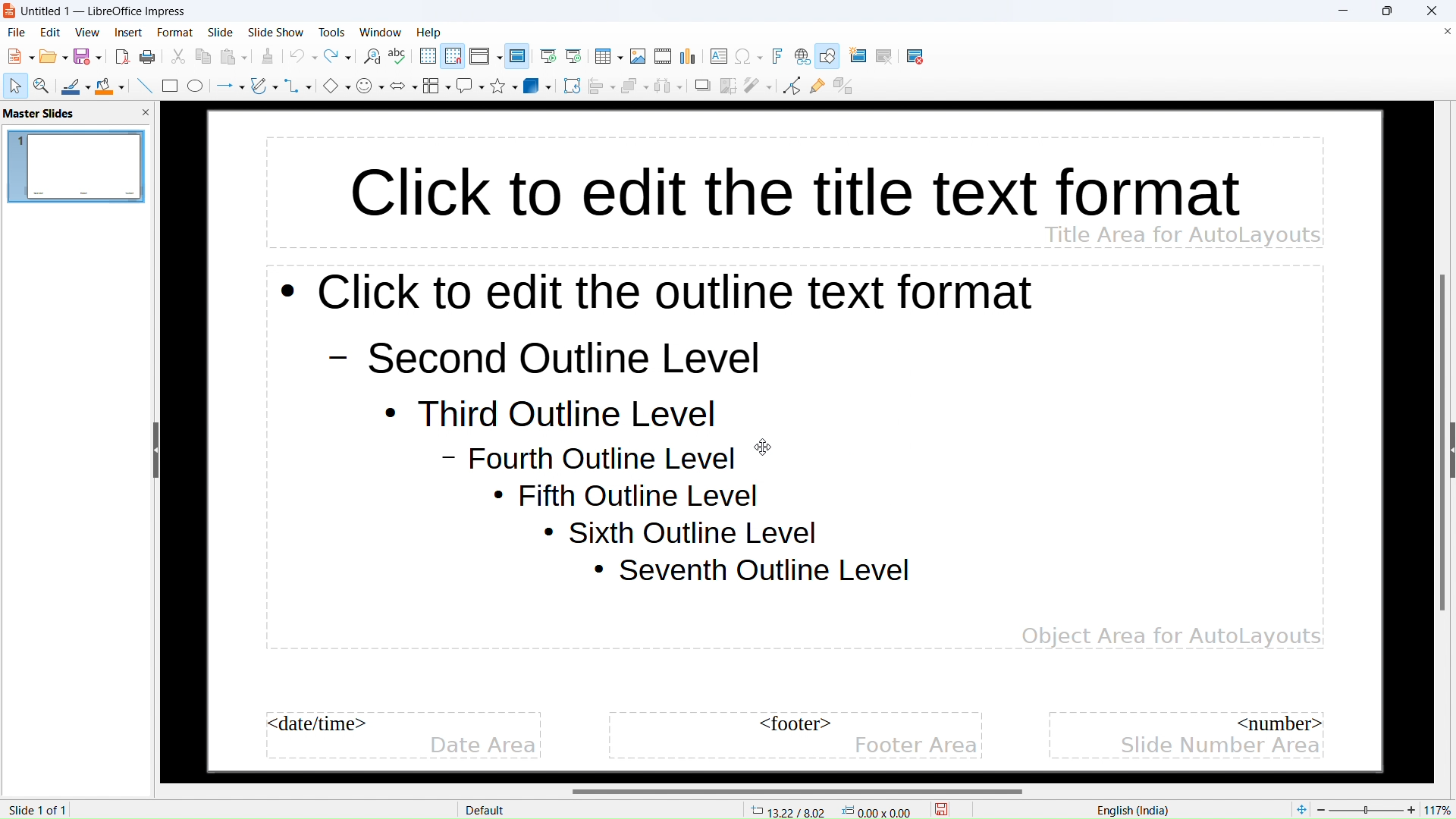 The image size is (1456, 819). Describe the element at coordinates (332, 33) in the screenshot. I see `tools` at that location.